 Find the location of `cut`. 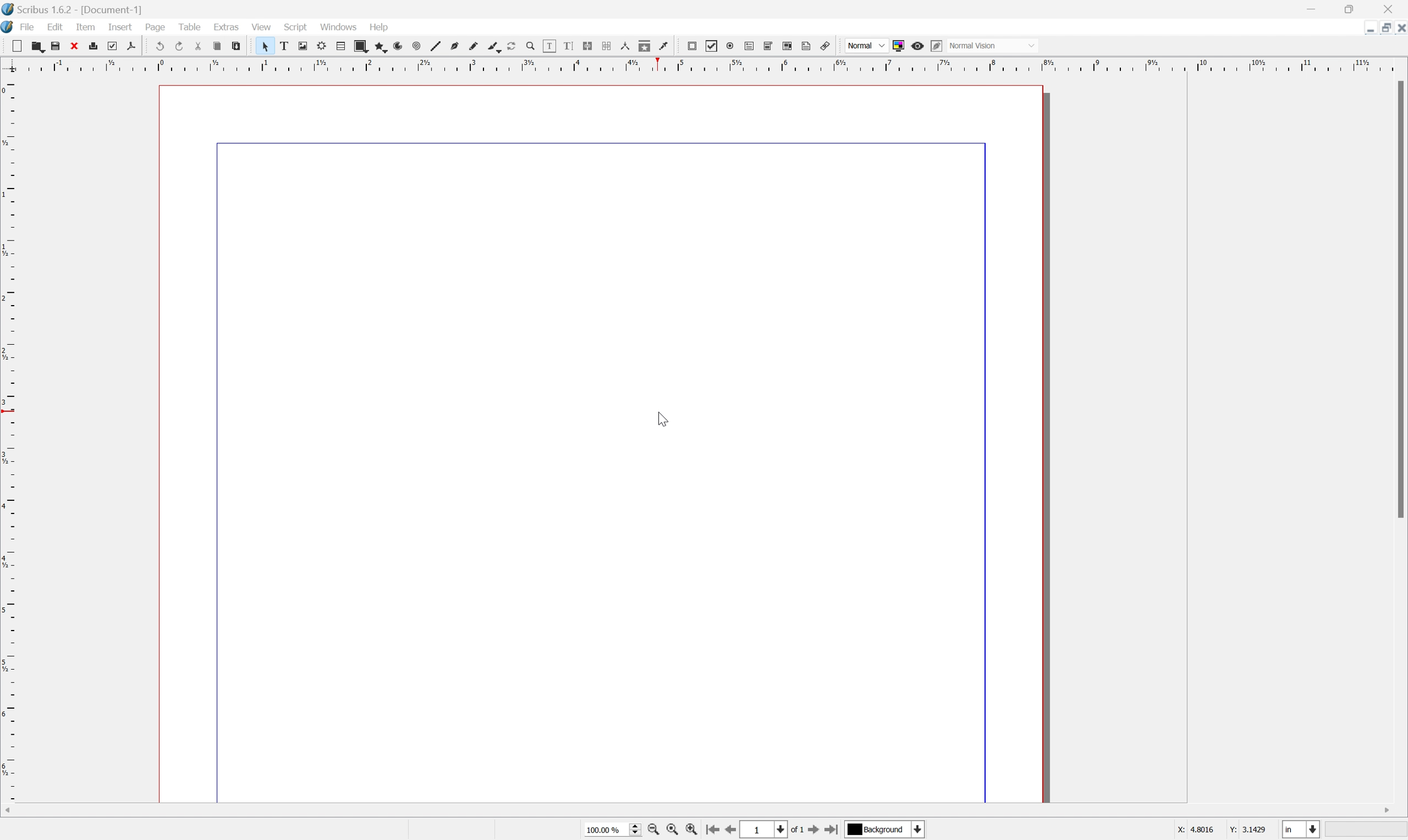

cut is located at coordinates (198, 45).